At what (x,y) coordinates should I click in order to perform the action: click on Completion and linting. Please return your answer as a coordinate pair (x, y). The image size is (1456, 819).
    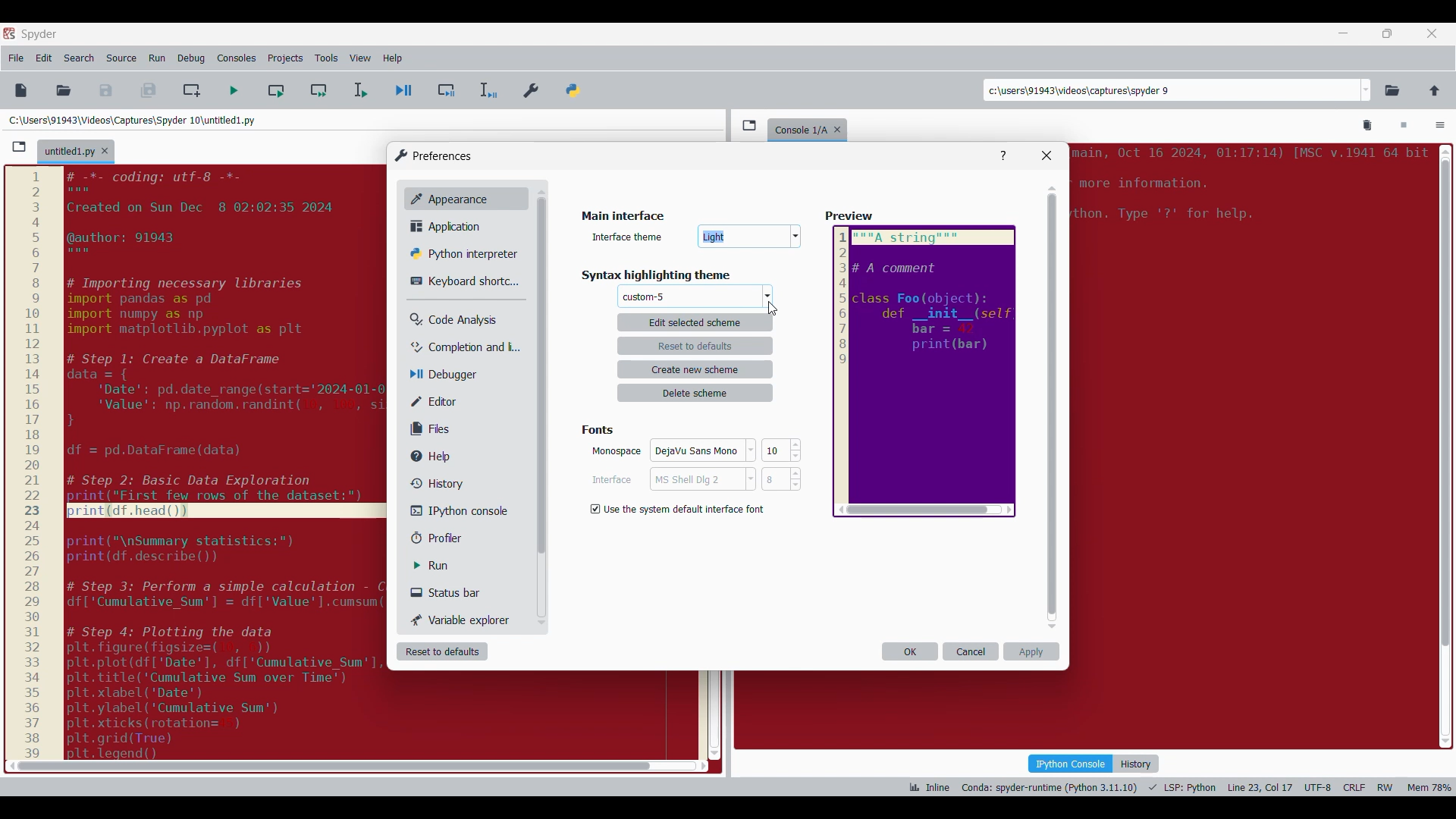
    Looking at the image, I should click on (456, 347).